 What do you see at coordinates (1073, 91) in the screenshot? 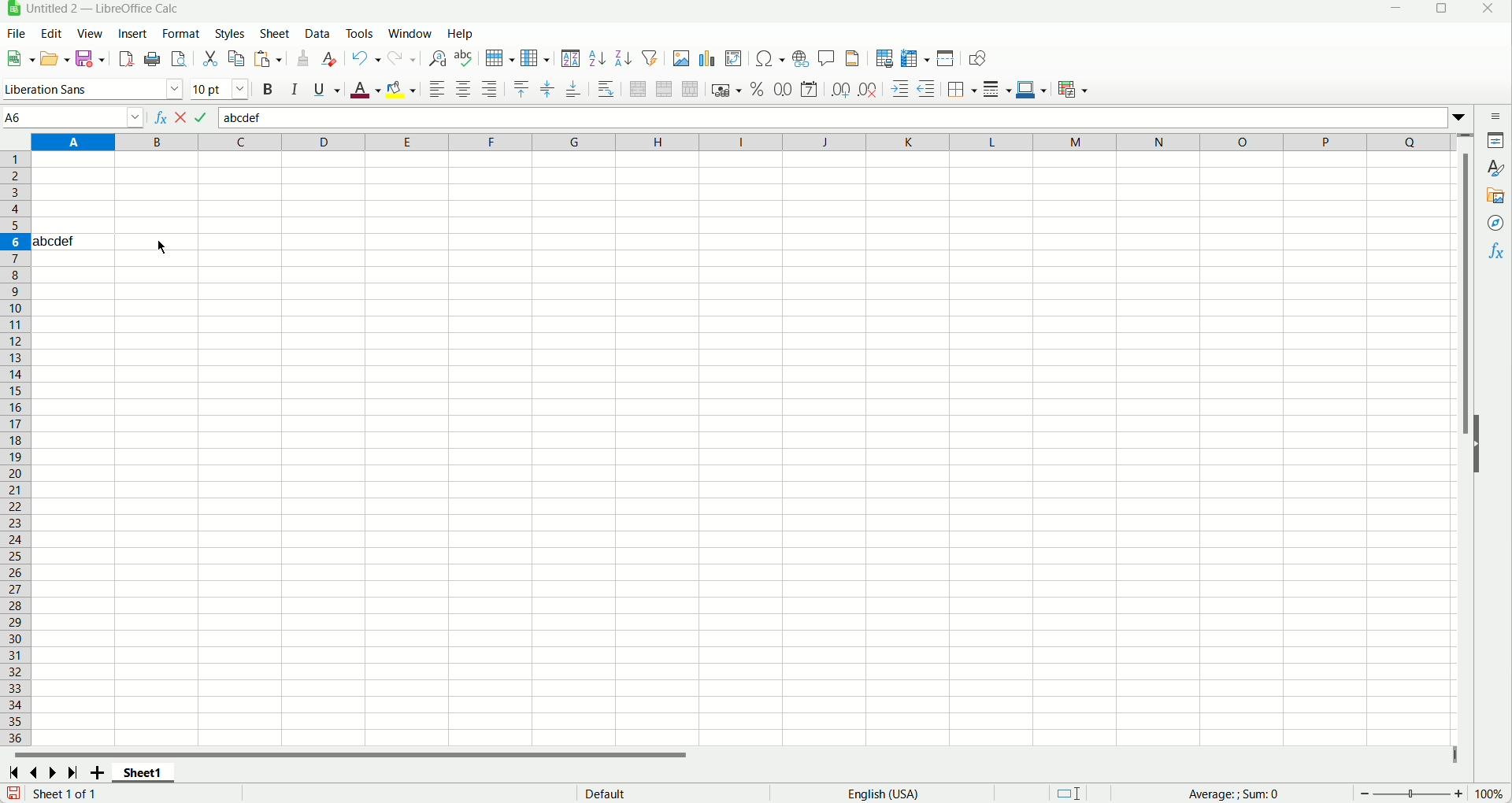
I see `conditional` at bounding box center [1073, 91].